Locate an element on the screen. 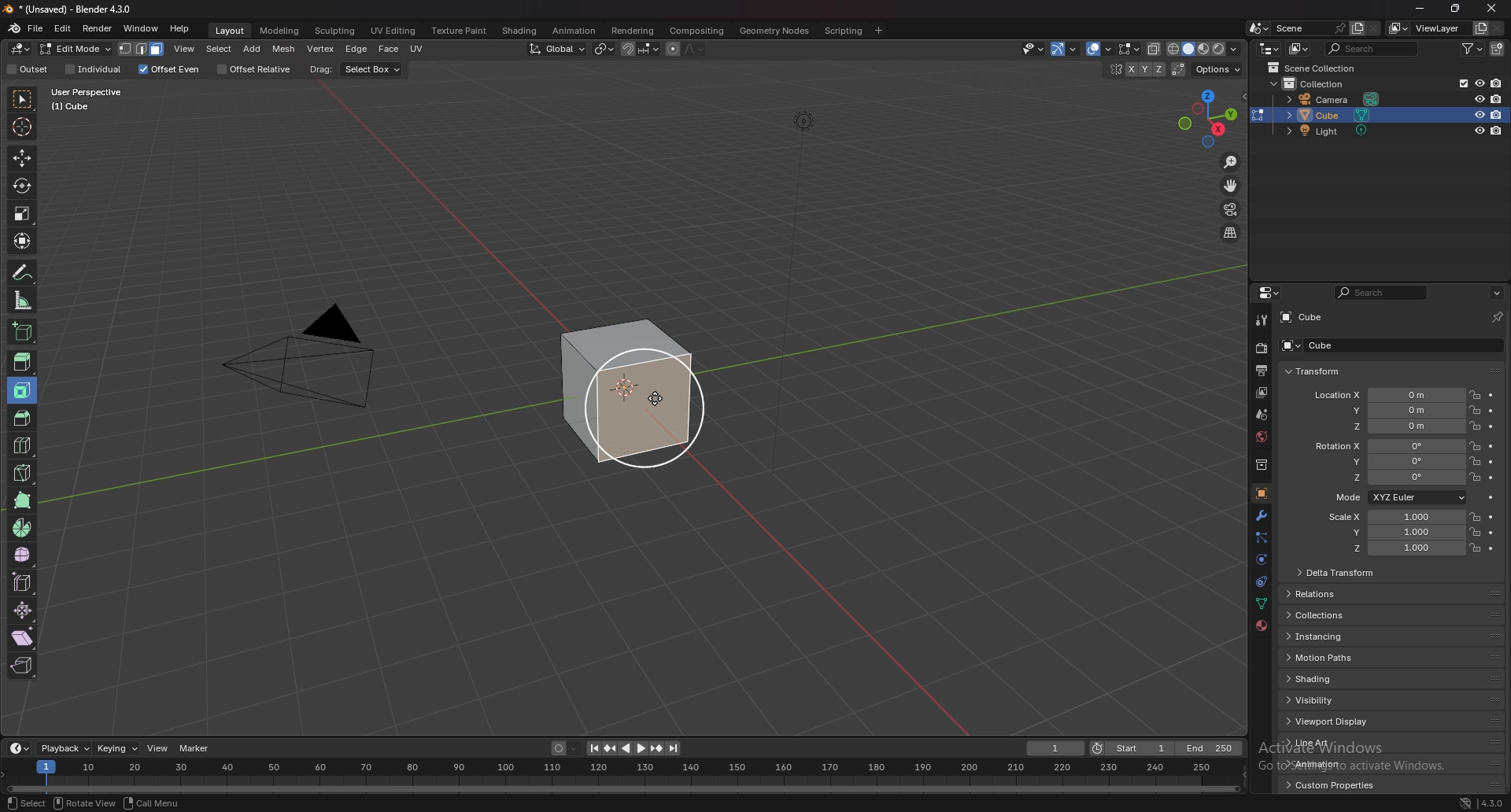 The image size is (1511, 812). playback is located at coordinates (66, 749).